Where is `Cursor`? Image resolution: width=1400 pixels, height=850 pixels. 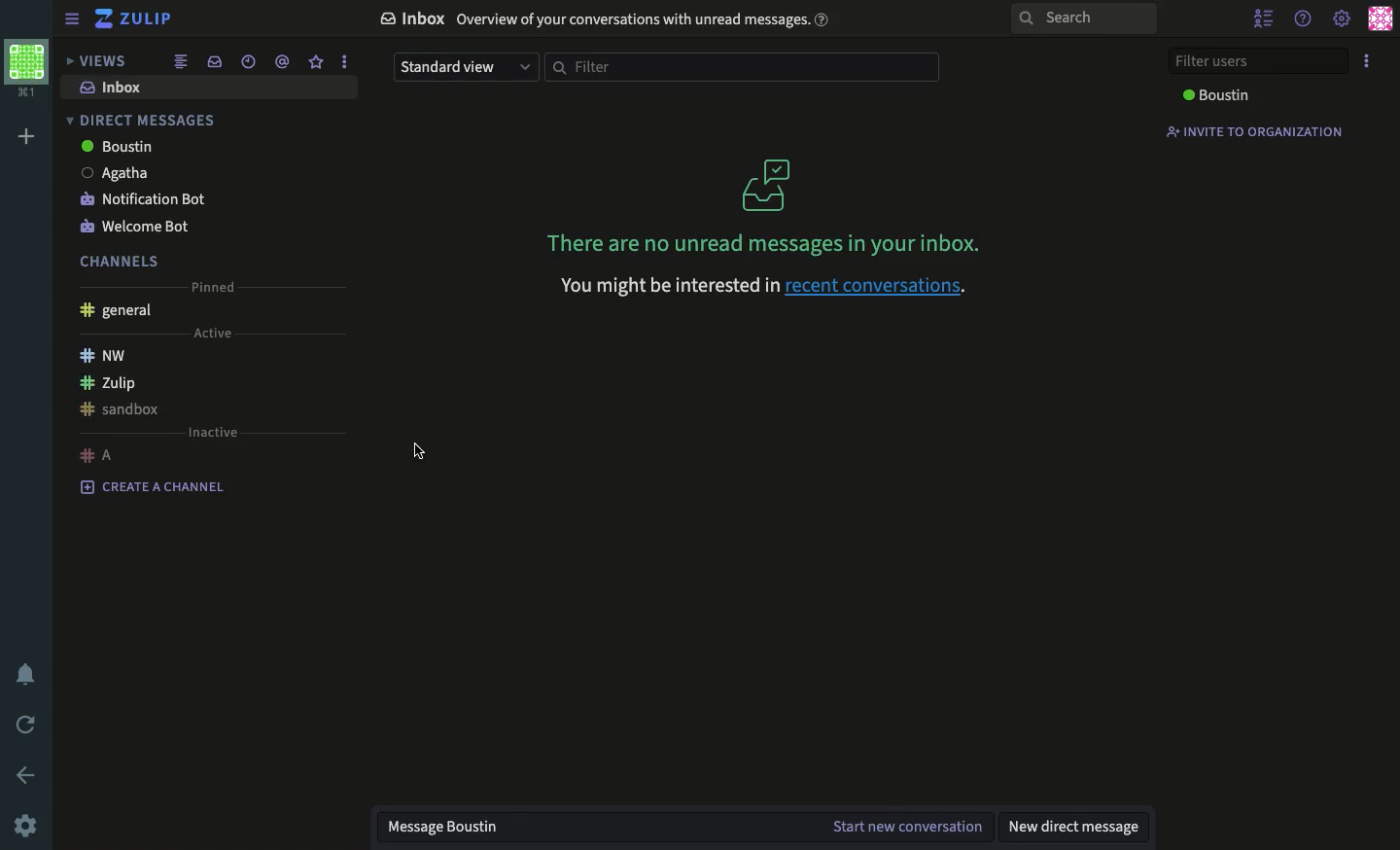
Cursor is located at coordinates (418, 455).